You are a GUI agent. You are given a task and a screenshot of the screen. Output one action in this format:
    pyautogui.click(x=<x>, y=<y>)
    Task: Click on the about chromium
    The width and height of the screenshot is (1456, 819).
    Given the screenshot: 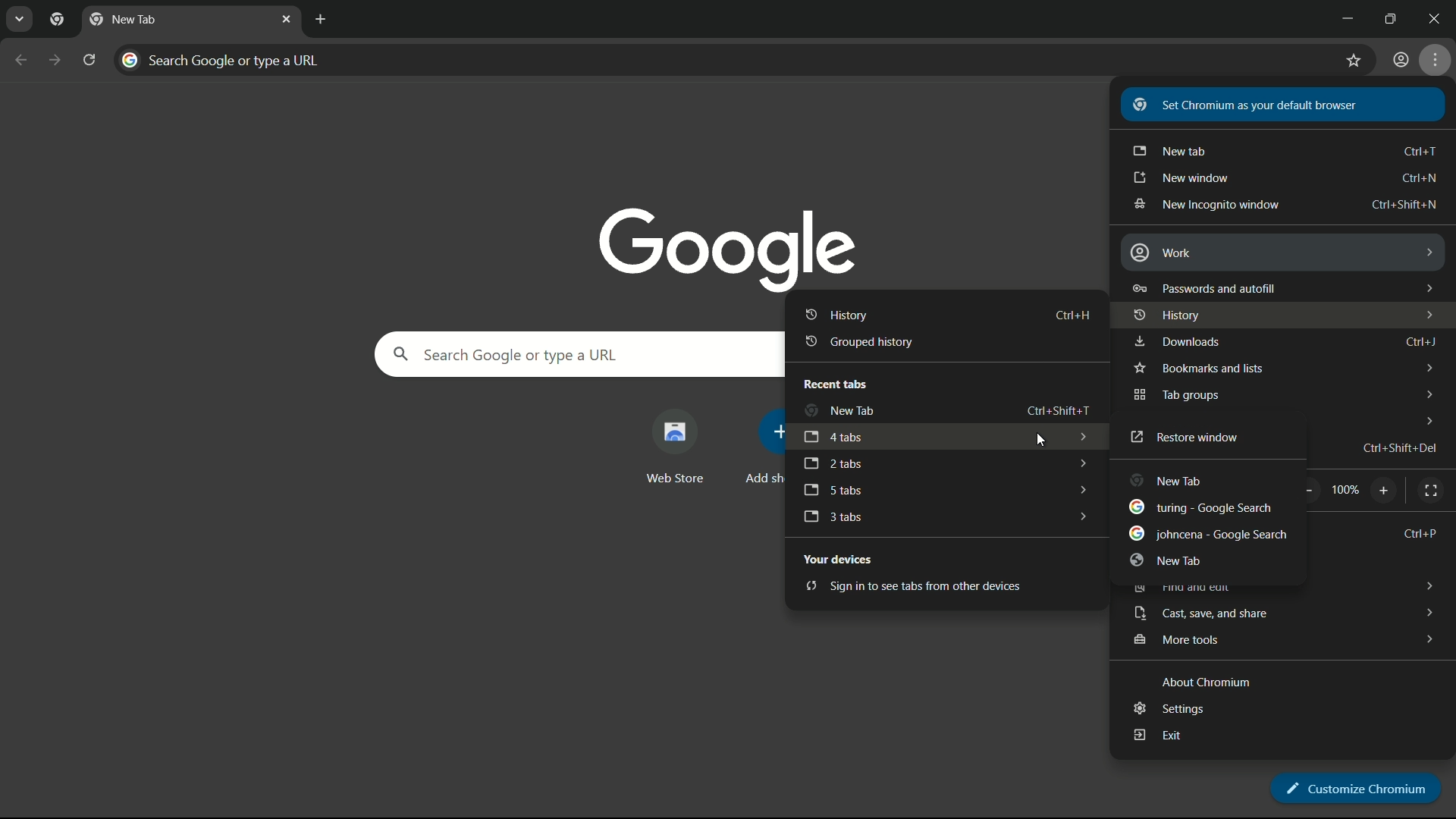 What is the action you would take?
    pyautogui.click(x=1204, y=684)
    